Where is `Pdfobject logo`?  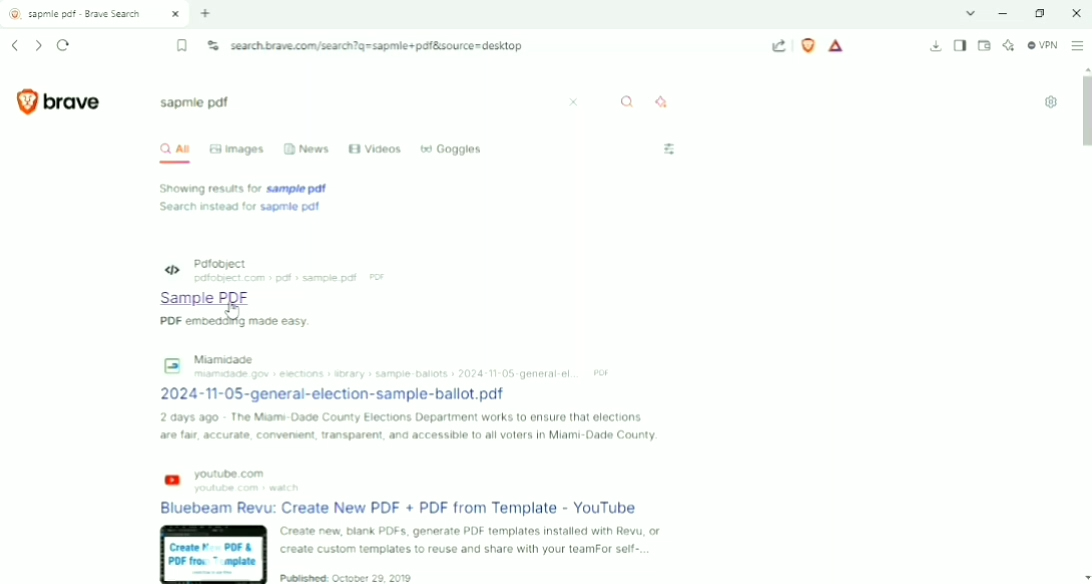 Pdfobject logo is located at coordinates (160, 267).